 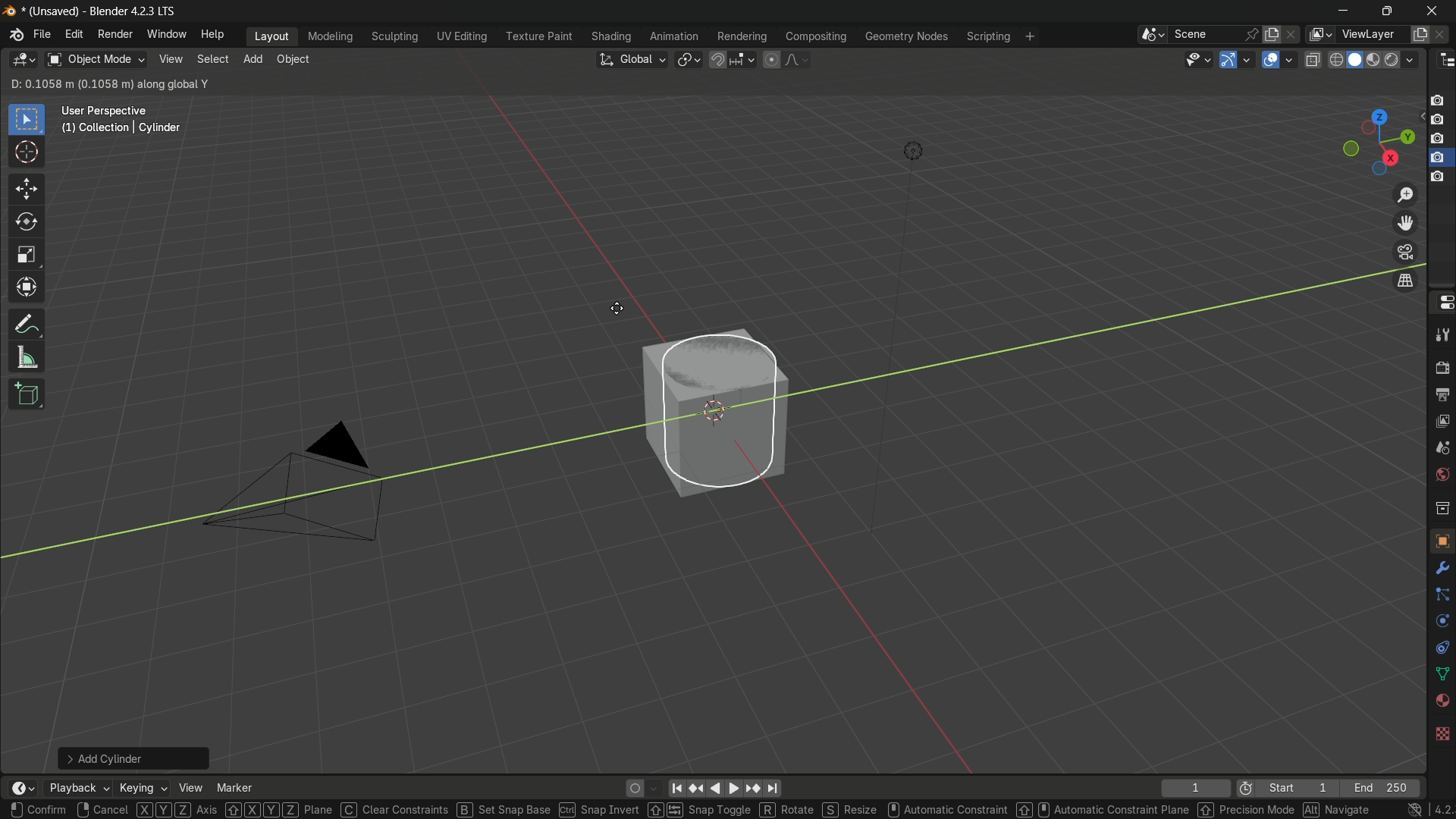 What do you see at coordinates (731, 60) in the screenshot?
I see `snap` at bounding box center [731, 60].